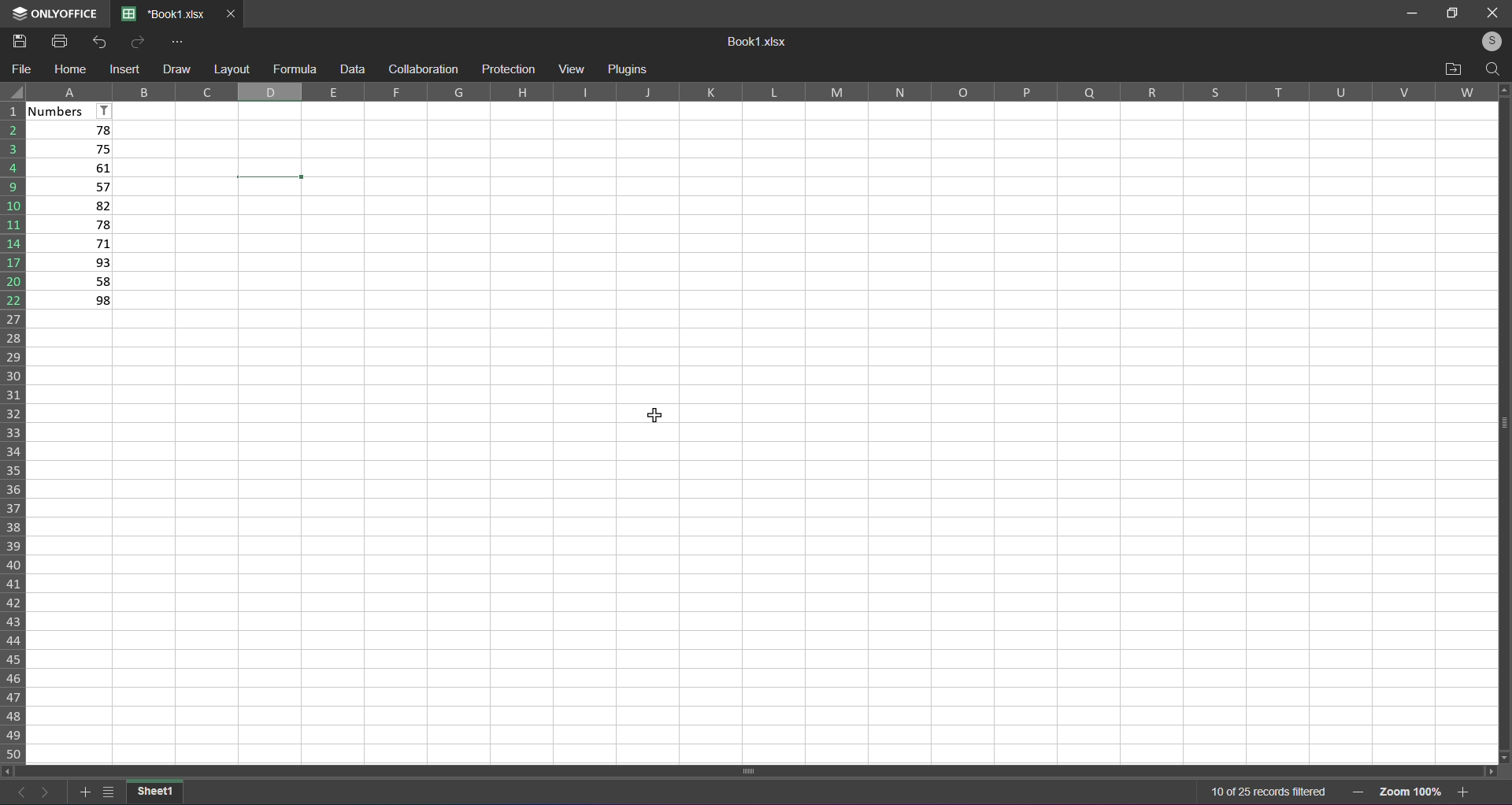 The image size is (1512, 805). Describe the element at coordinates (1488, 770) in the screenshot. I see `Move right` at that location.